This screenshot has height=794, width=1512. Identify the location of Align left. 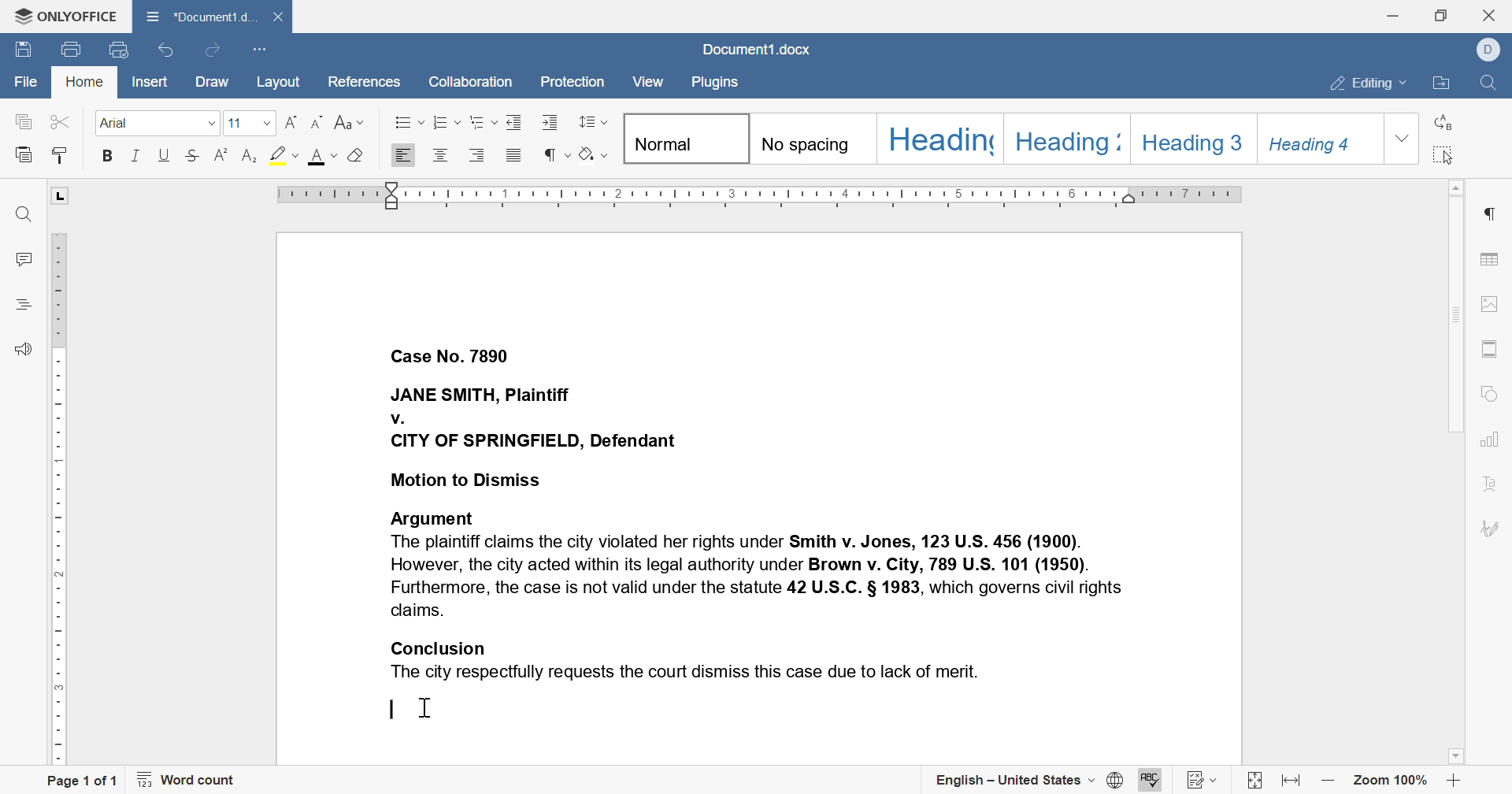
(478, 154).